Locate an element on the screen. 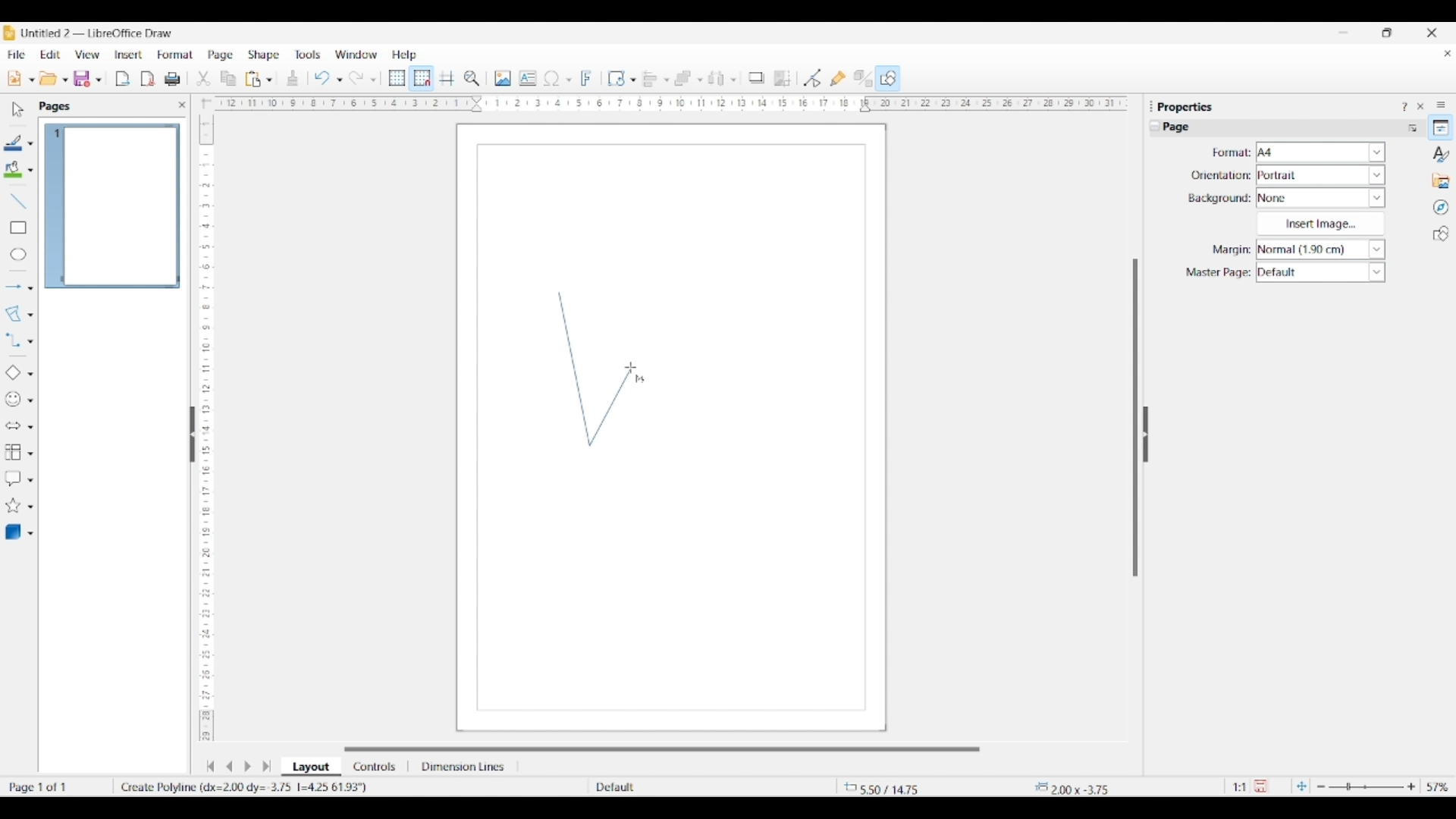 The width and height of the screenshot is (1456, 819). Slider to change zoom in/out is located at coordinates (1366, 786).